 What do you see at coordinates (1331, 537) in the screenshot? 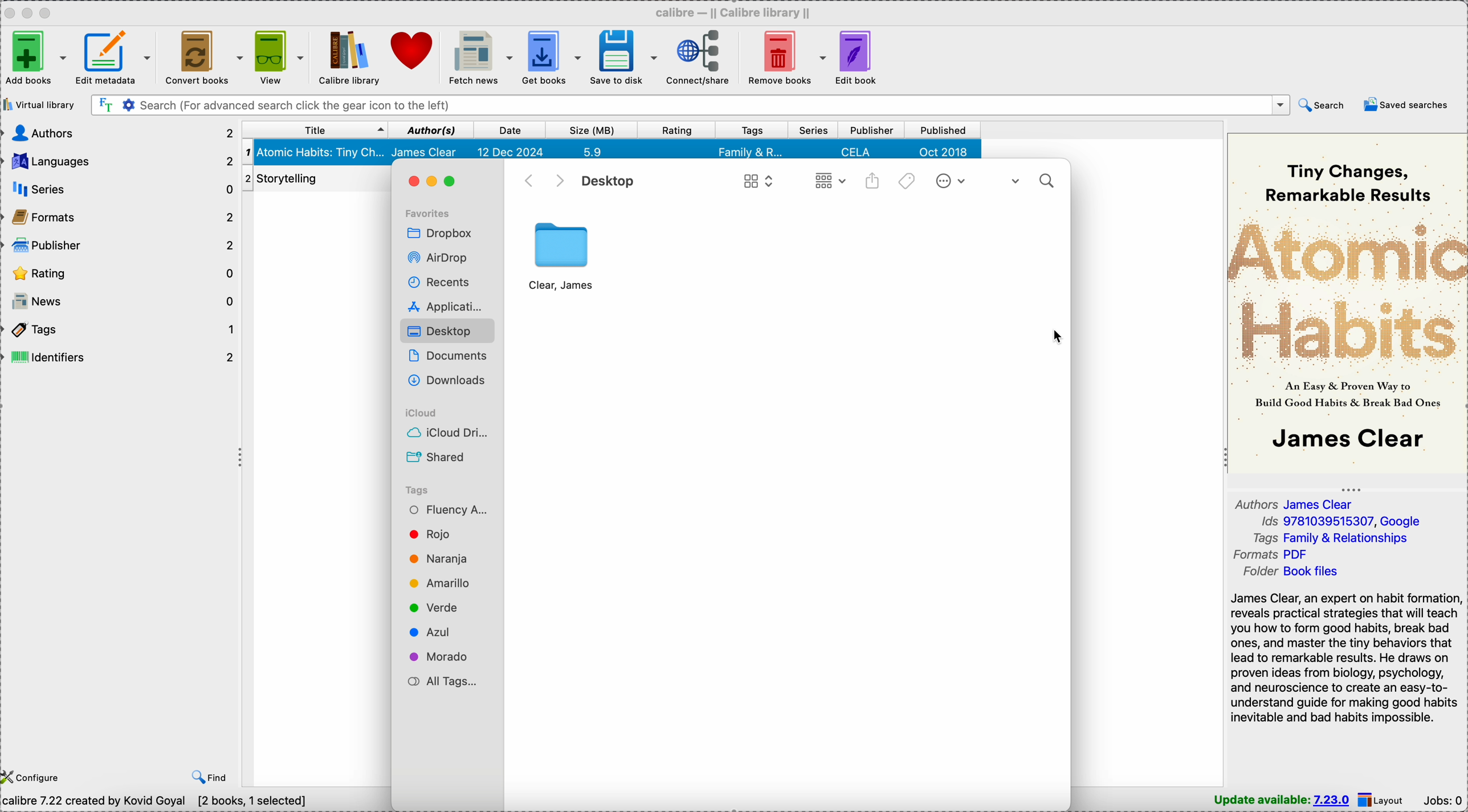
I see `tags Family & Relationships` at bounding box center [1331, 537].